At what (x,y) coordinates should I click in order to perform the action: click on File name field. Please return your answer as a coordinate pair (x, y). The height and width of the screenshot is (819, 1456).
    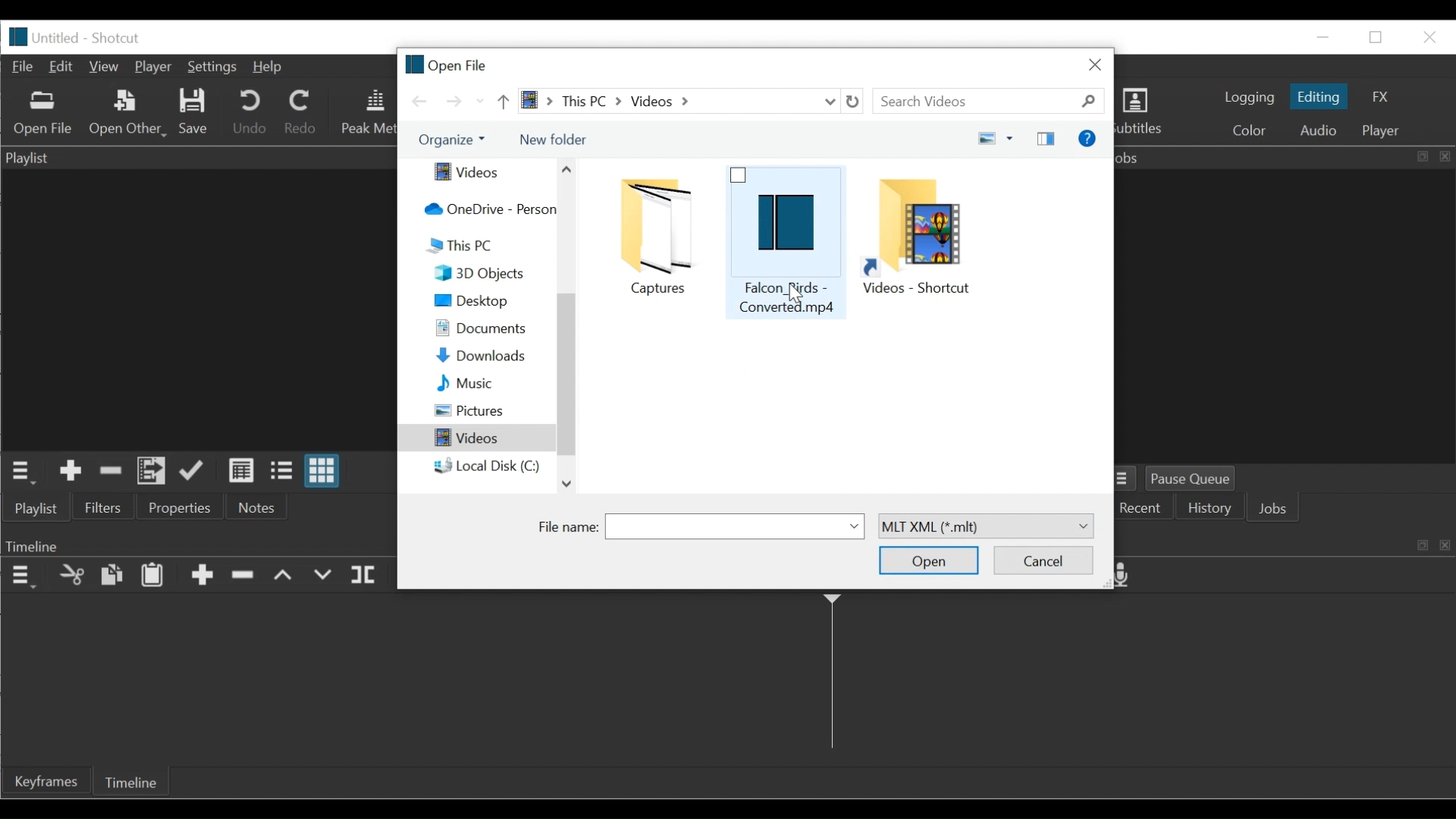
    Looking at the image, I should click on (735, 526).